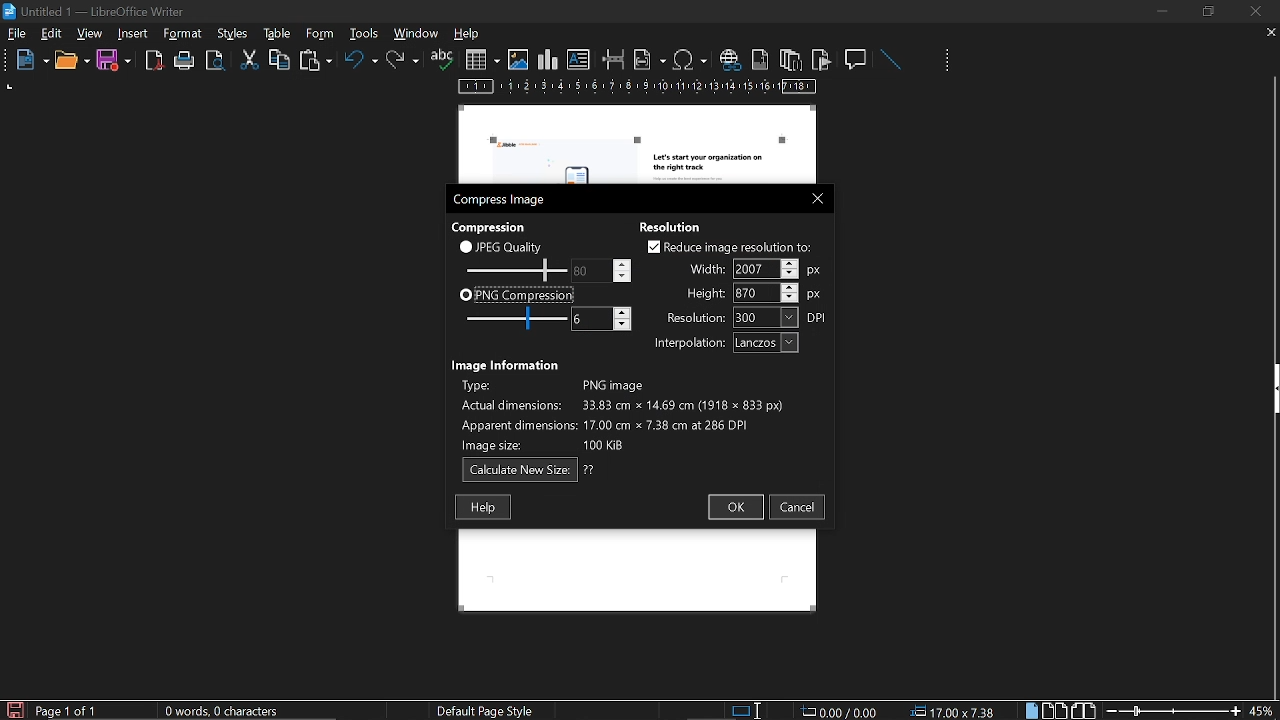  Describe the element at coordinates (677, 225) in the screenshot. I see `Resolution` at that location.